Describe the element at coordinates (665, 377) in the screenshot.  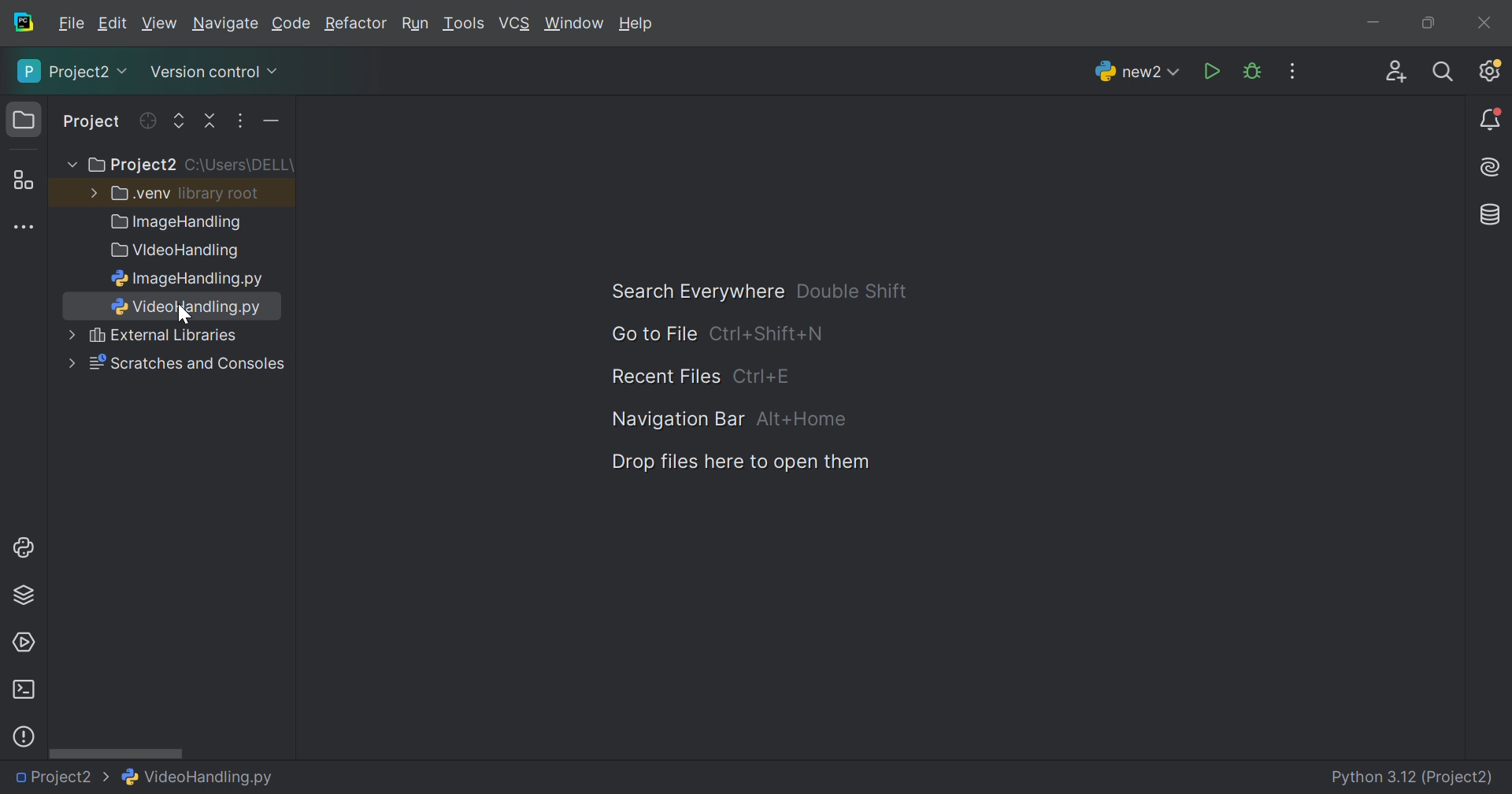
I see `Recent Files` at that location.